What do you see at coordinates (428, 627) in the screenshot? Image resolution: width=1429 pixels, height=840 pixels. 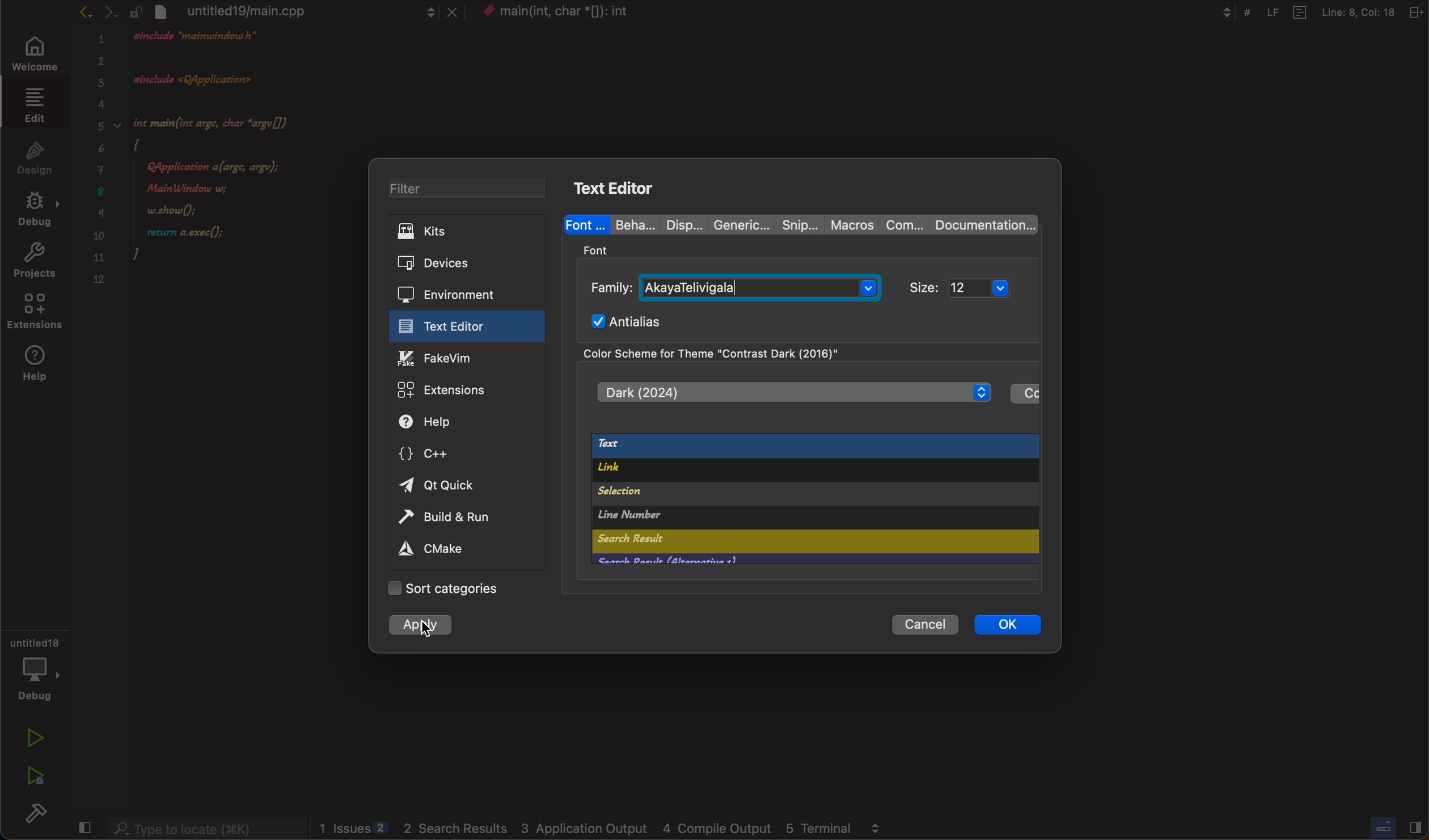 I see `cursor` at bounding box center [428, 627].